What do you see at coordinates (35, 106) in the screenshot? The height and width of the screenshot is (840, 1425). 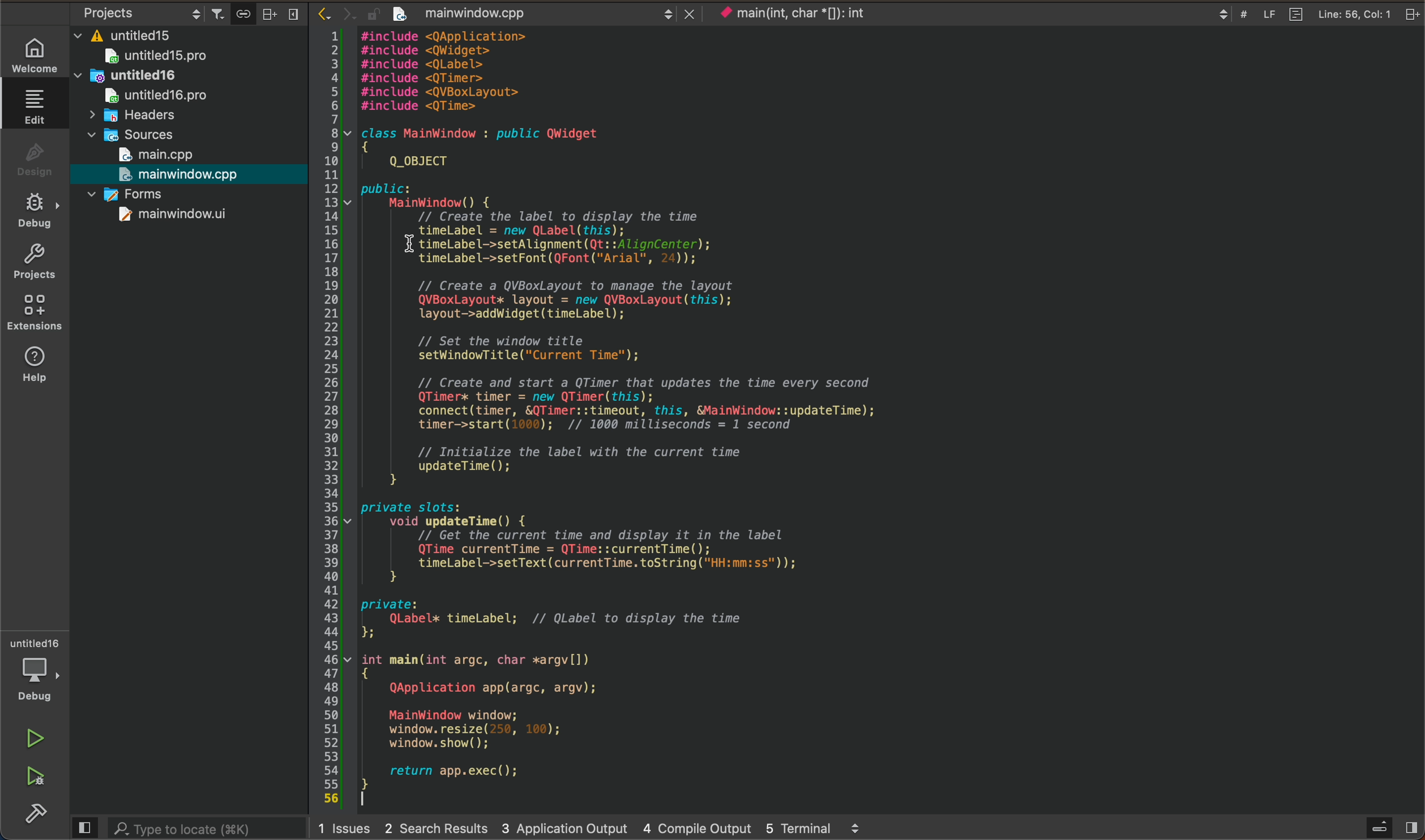 I see `edit` at bounding box center [35, 106].